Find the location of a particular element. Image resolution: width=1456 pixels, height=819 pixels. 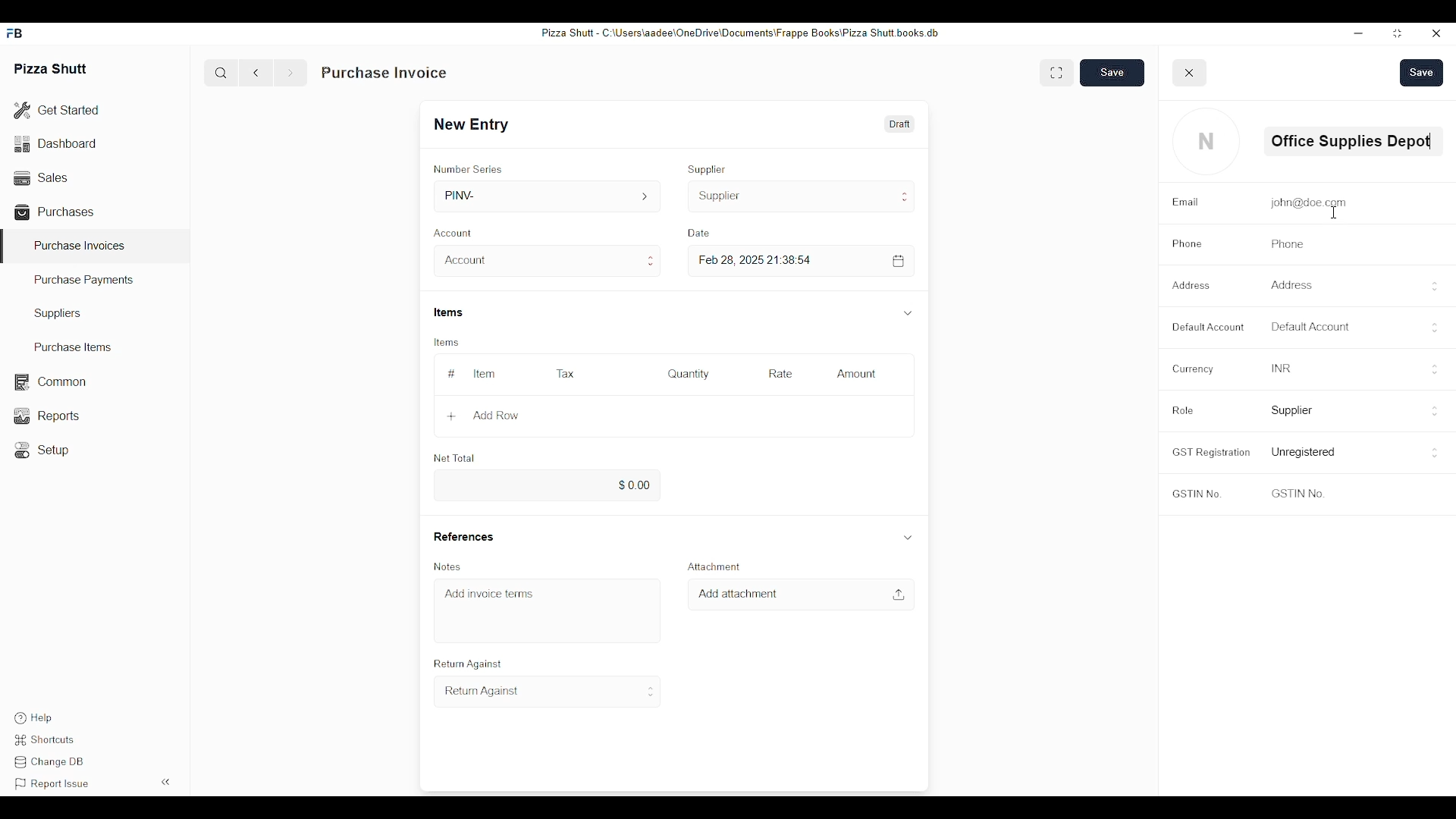

GST Registration is located at coordinates (1210, 452).